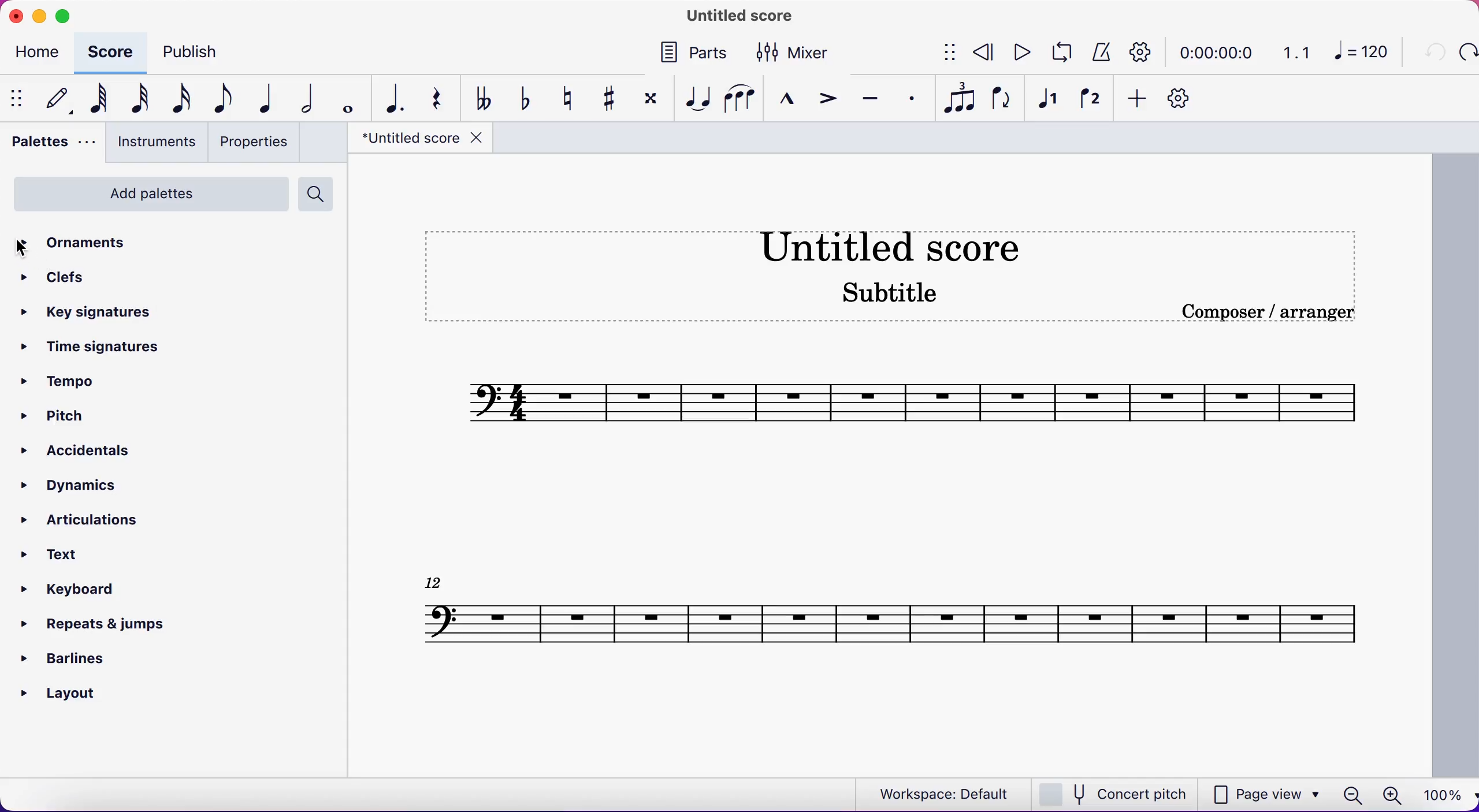  Describe the element at coordinates (1051, 101) in the screenshot. I see `voice 1` at that location.